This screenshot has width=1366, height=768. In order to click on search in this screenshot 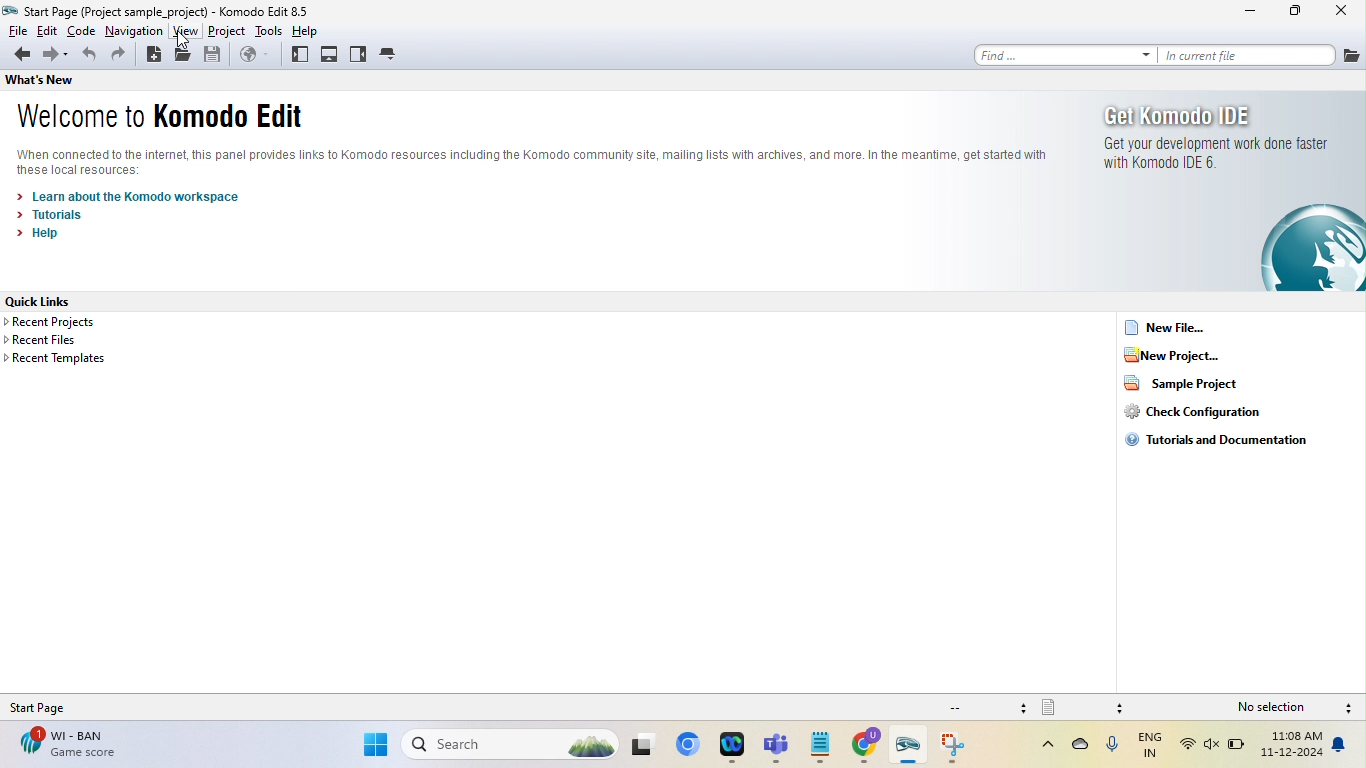, I will do `click(512, 744)`.